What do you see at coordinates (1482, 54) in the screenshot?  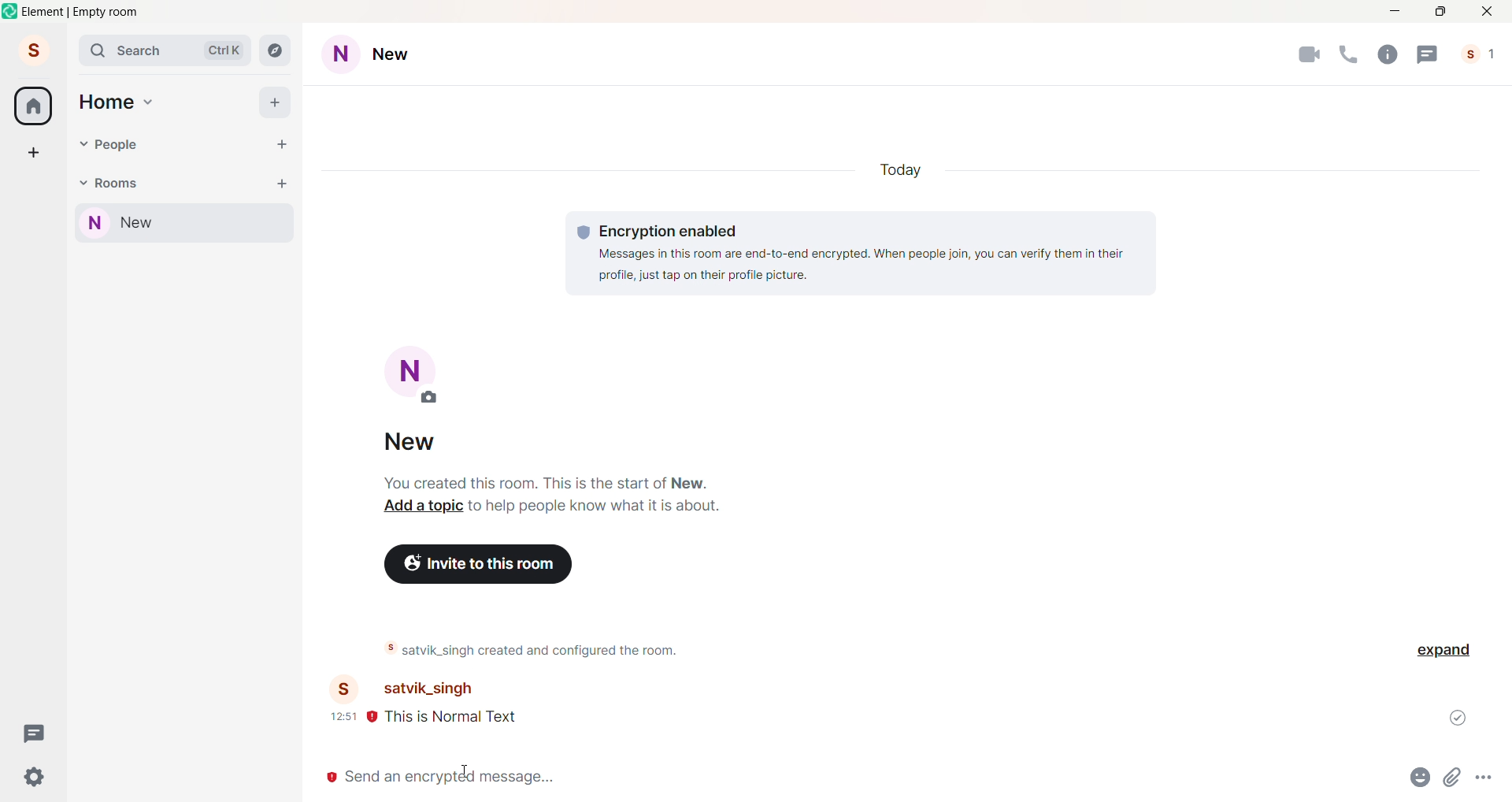 I see `People` at bounding box center [1482, 54].